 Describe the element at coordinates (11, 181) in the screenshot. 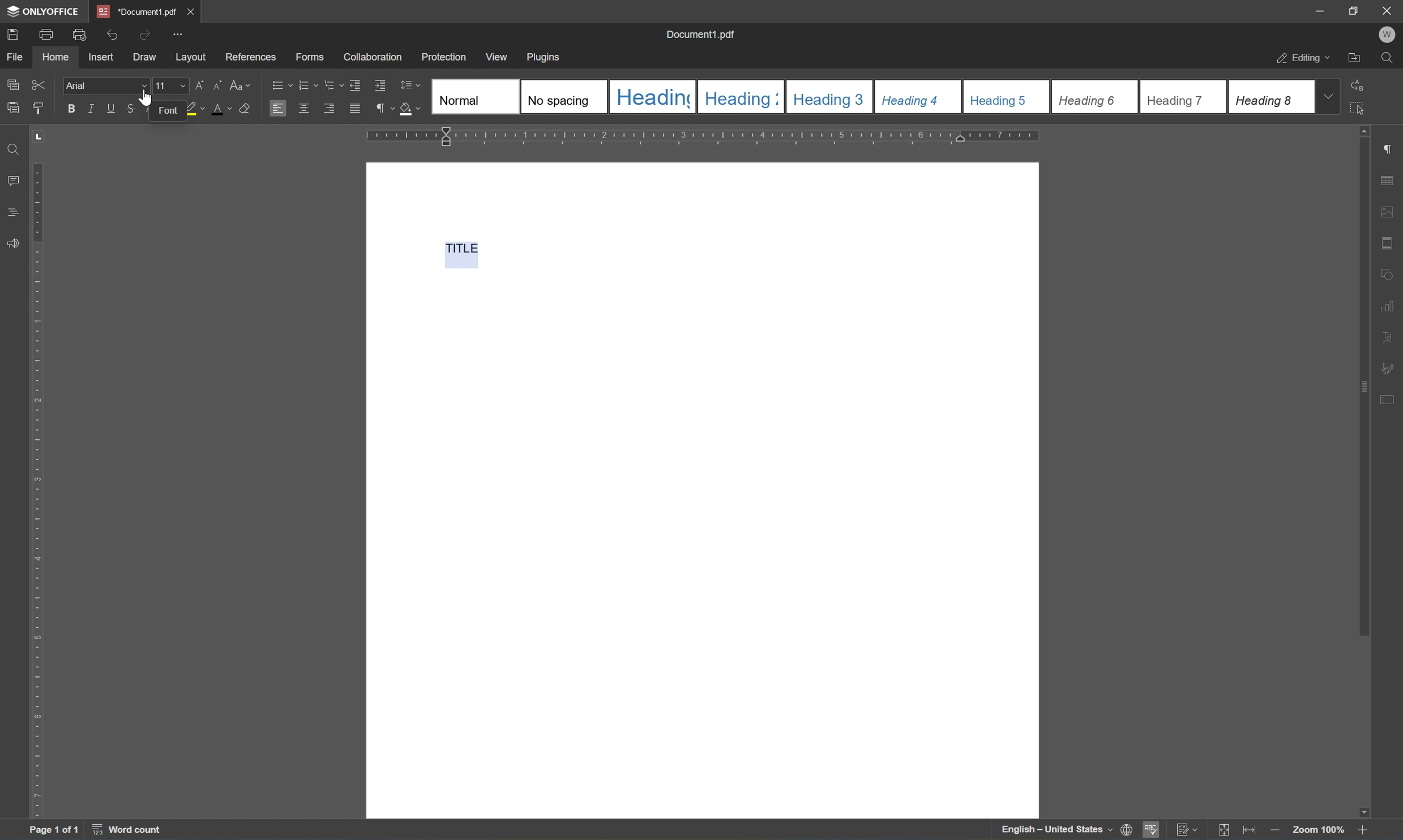

I see `comments` at that location.